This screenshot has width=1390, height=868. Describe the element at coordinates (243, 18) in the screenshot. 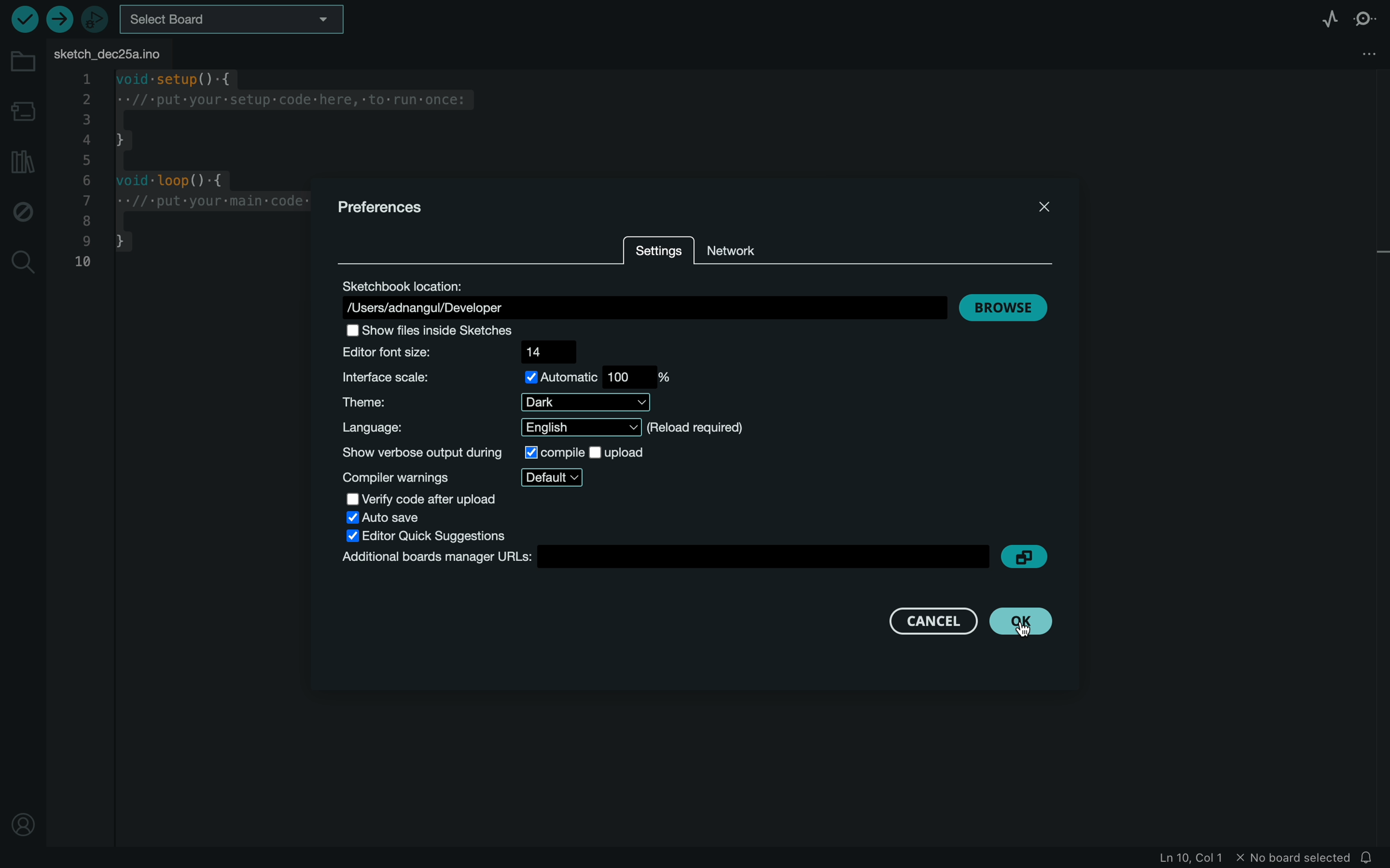

I see `board  selecter` at that location.